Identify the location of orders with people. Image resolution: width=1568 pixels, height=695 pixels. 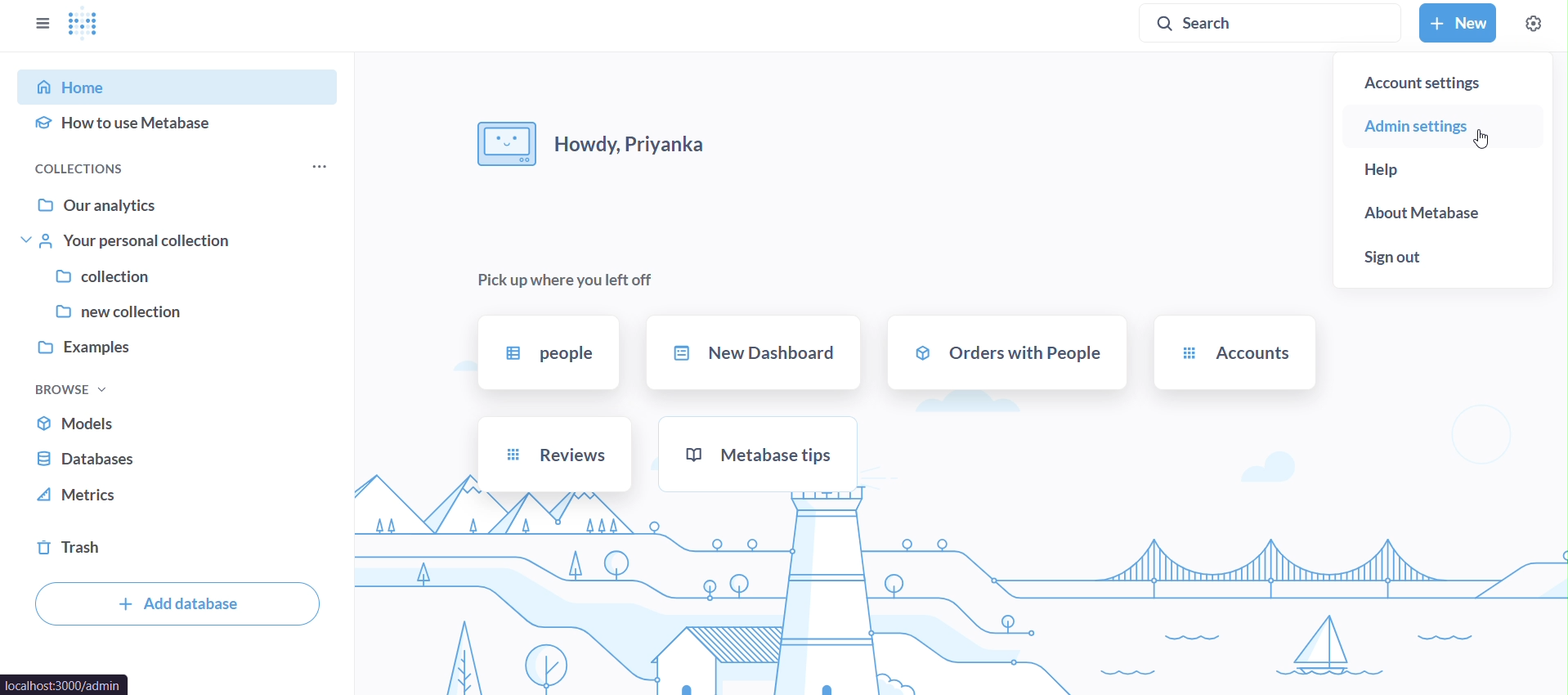
(1006, 352).